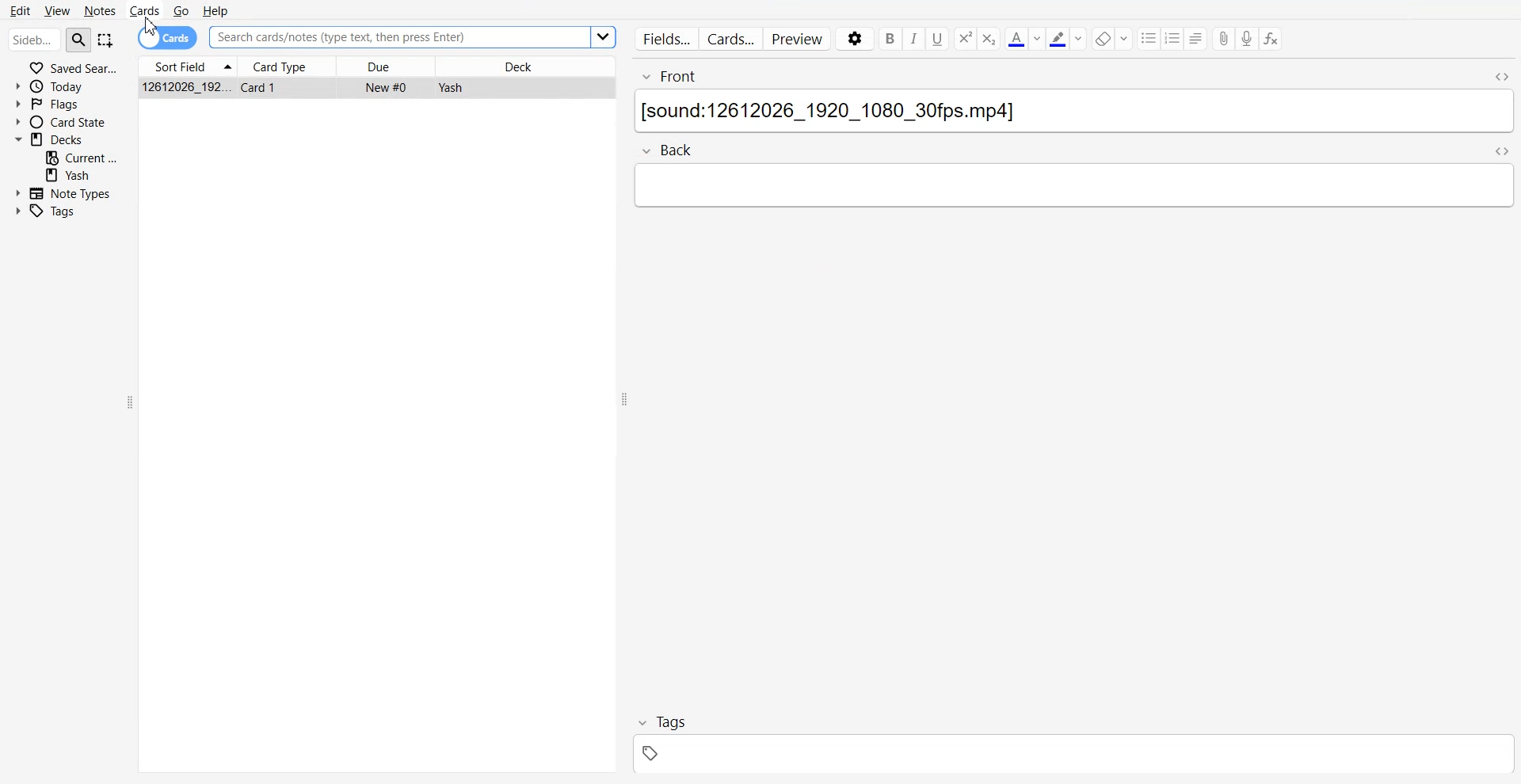  I want to click on Help, so click(217, 10).